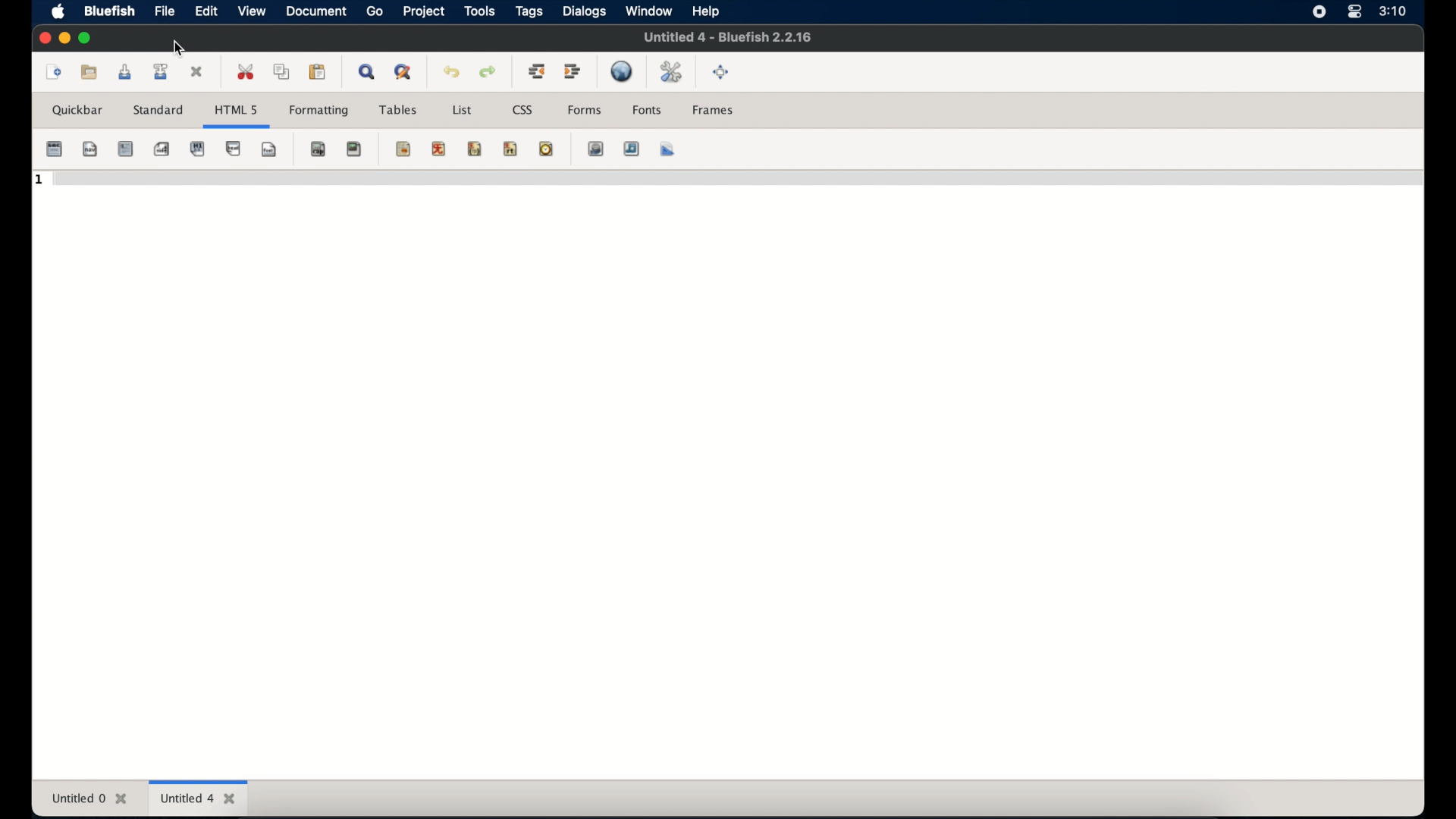  What do you see at coordinates (727, 36) in the screenshot?
I see `untitled 0 - bluefish 2.2.16` at bounding box center [727, 36].